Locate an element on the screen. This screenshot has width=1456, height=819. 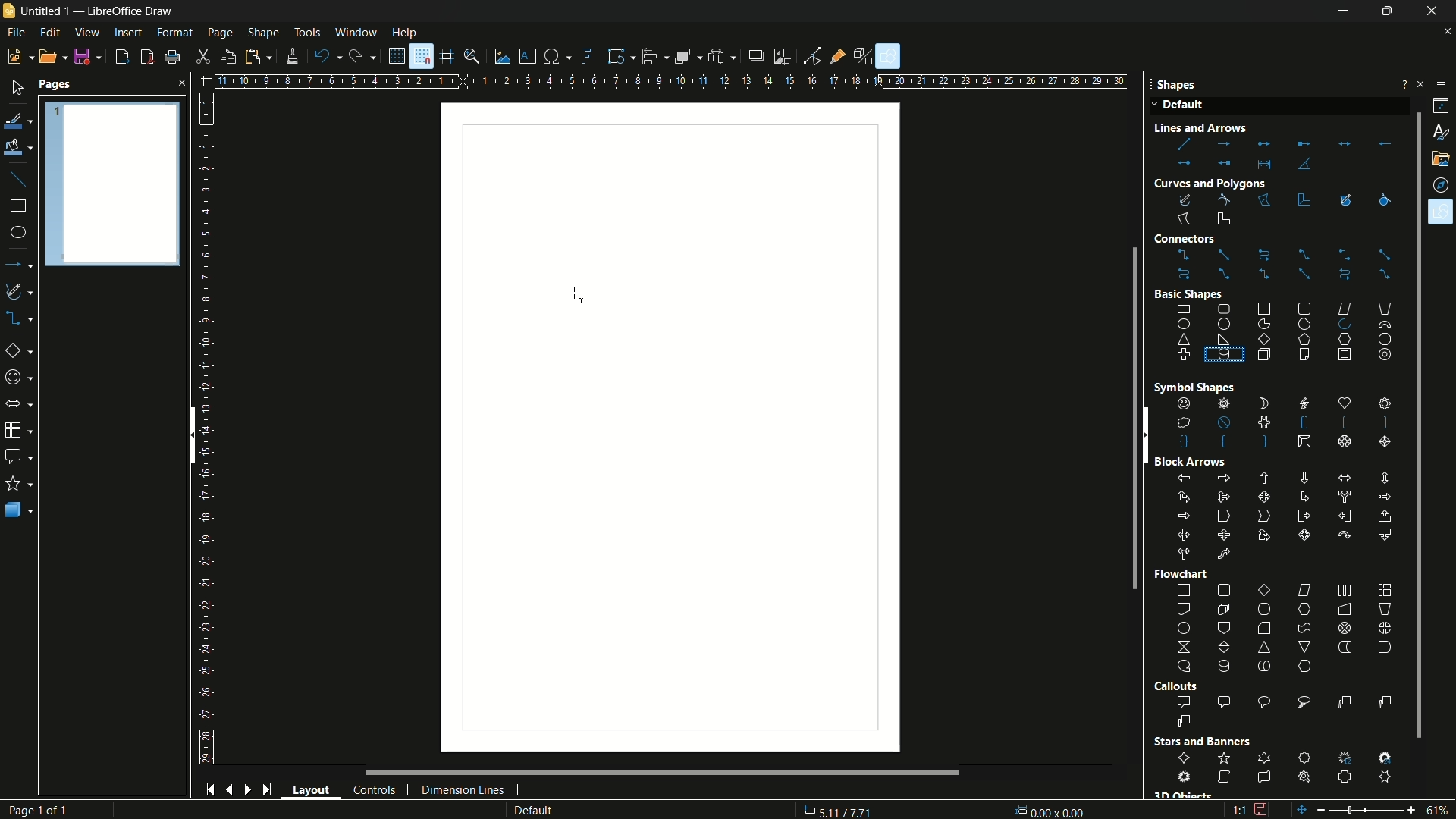
transformations is located at coordinates (620, 55).